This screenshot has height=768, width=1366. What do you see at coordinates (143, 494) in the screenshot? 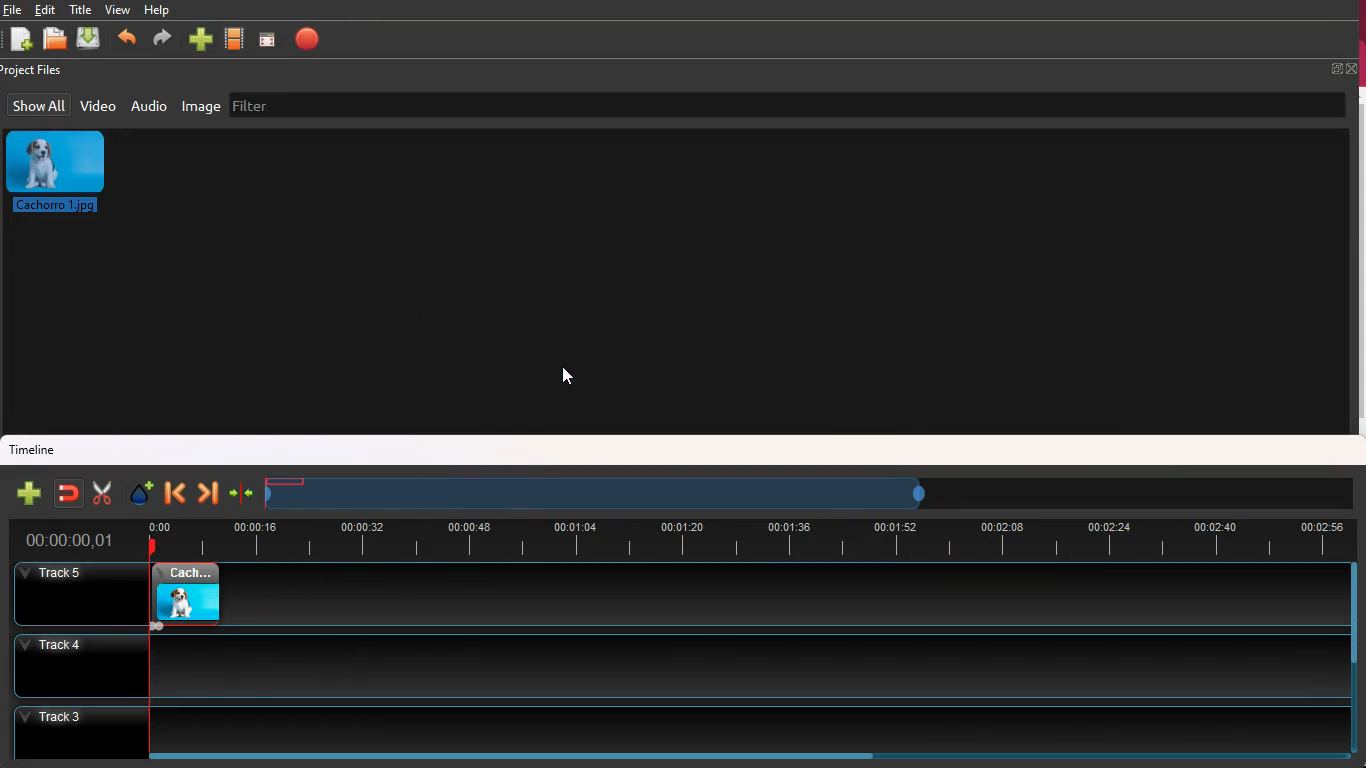
I see `effect` at bounding box center [143, 494].